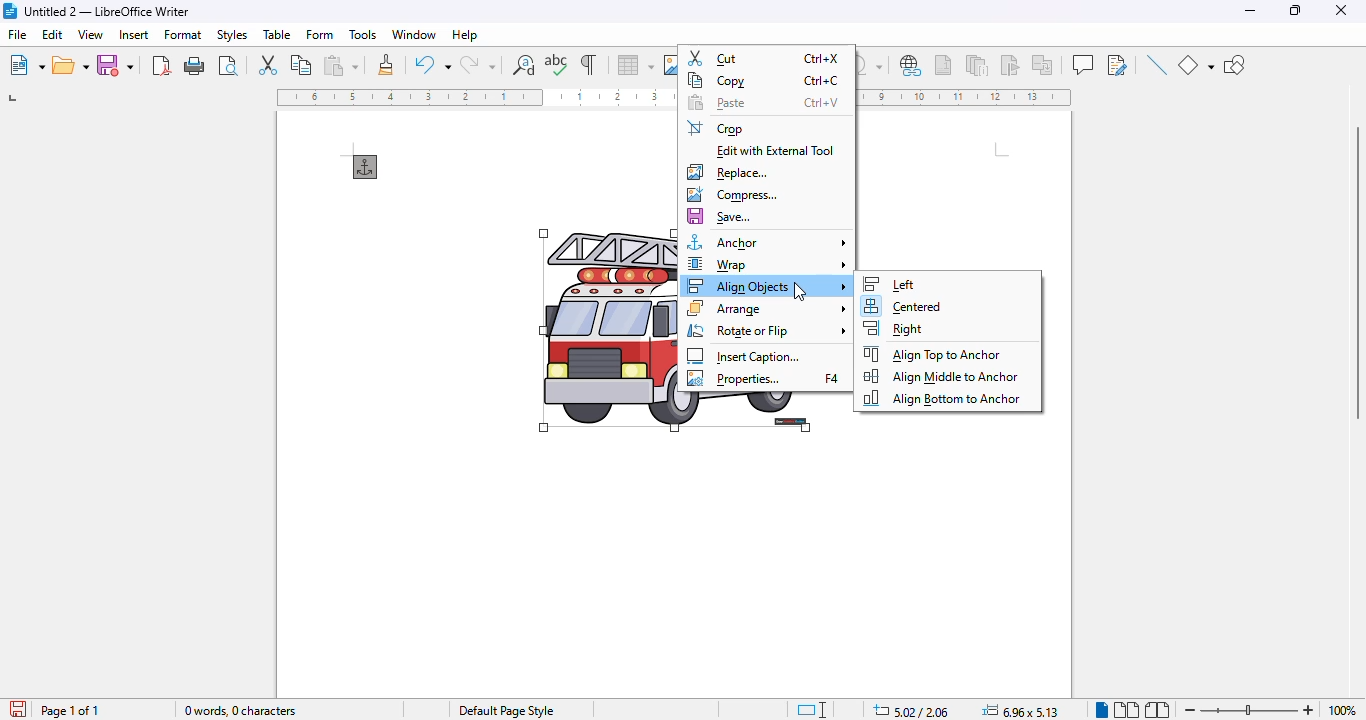 The height and width of the screenshot is (720, 1366). Describe the element at coordinates (910, 710) in the screenshot. I see `X & Y coordinated` at that location.